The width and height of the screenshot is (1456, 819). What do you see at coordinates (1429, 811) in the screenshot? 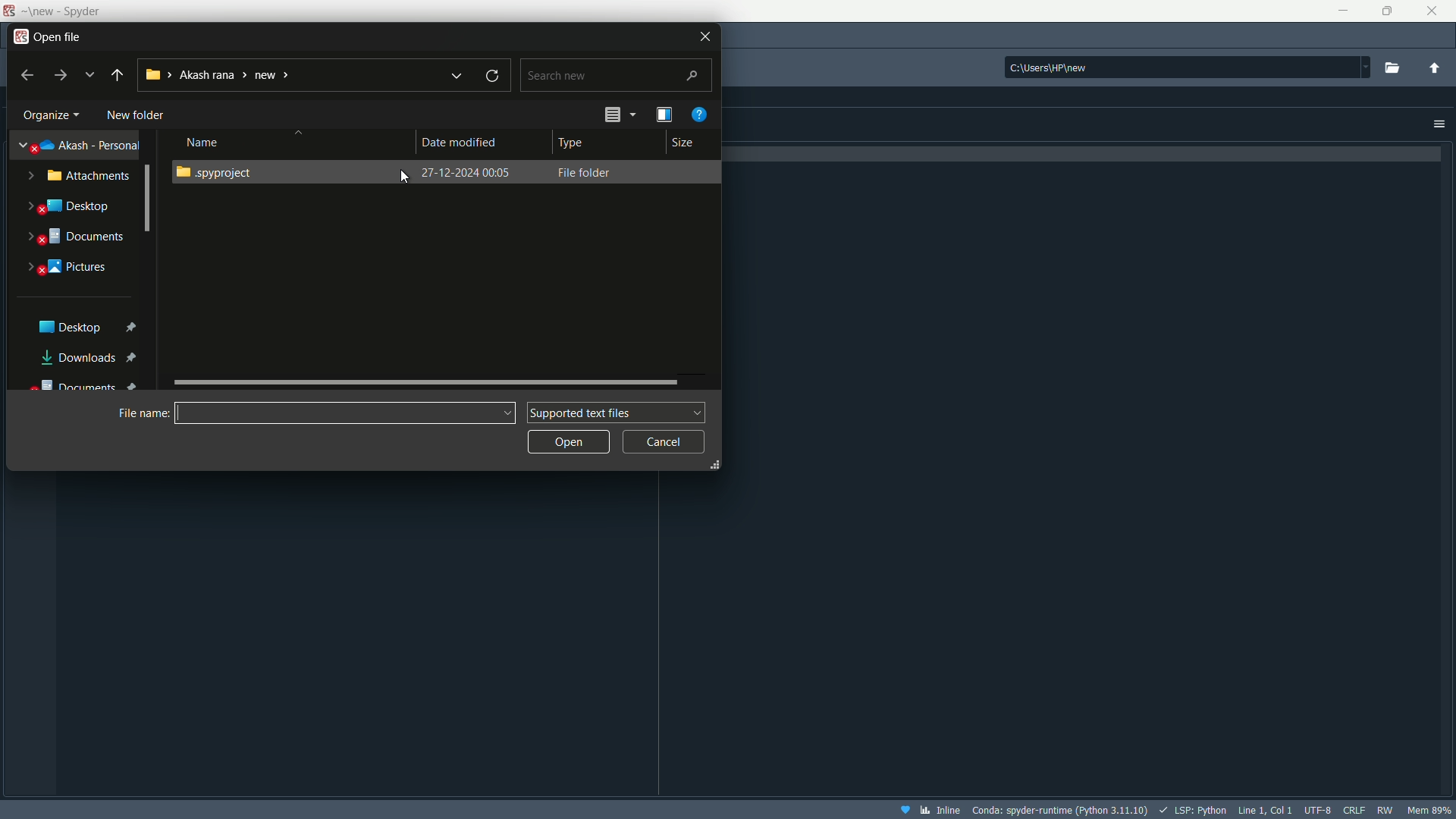
I see `memory usage` at bounding box center [1429, 811].